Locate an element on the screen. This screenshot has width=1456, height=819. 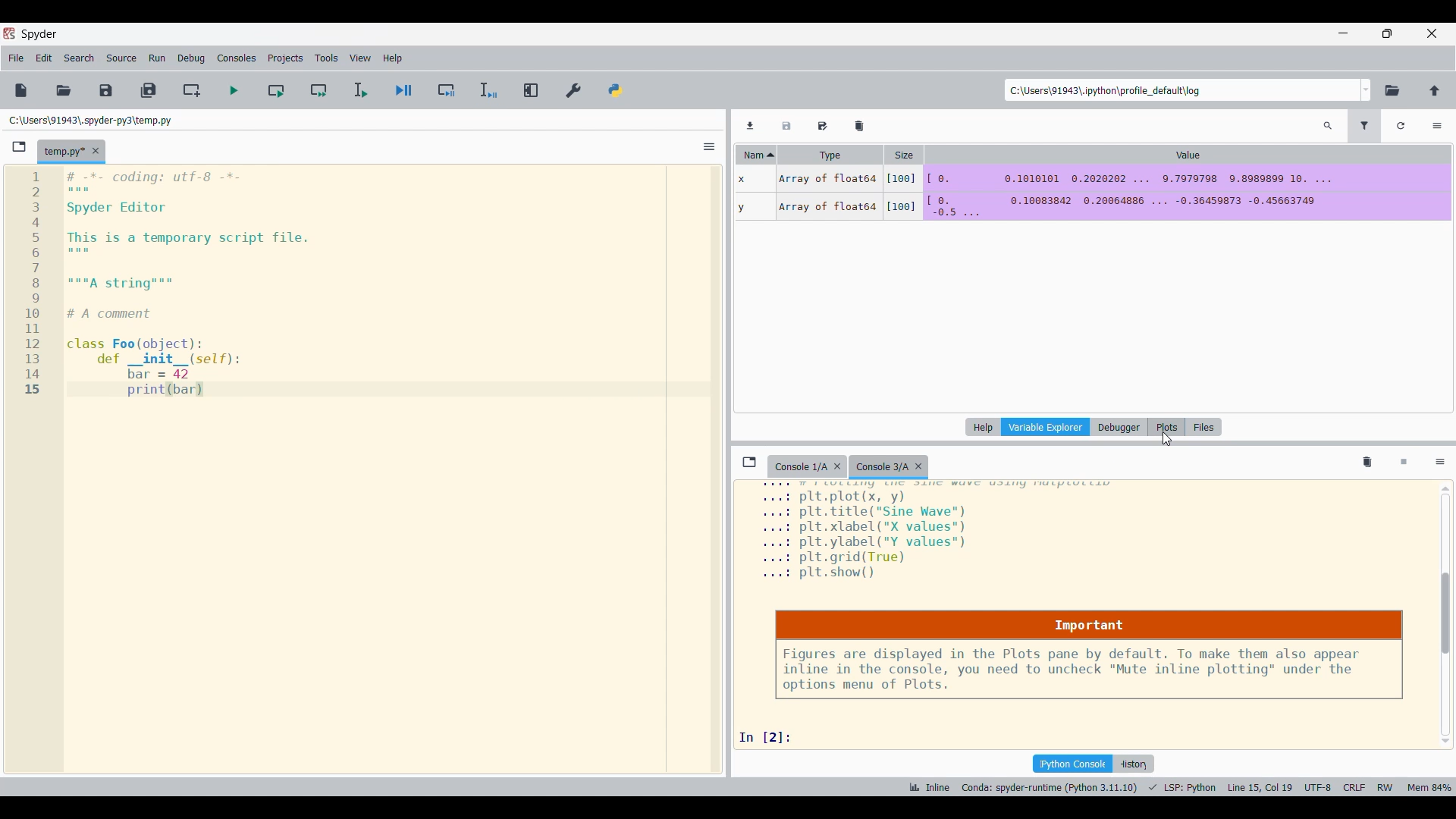
Run selection/current file is located at coordinates (361, 90).